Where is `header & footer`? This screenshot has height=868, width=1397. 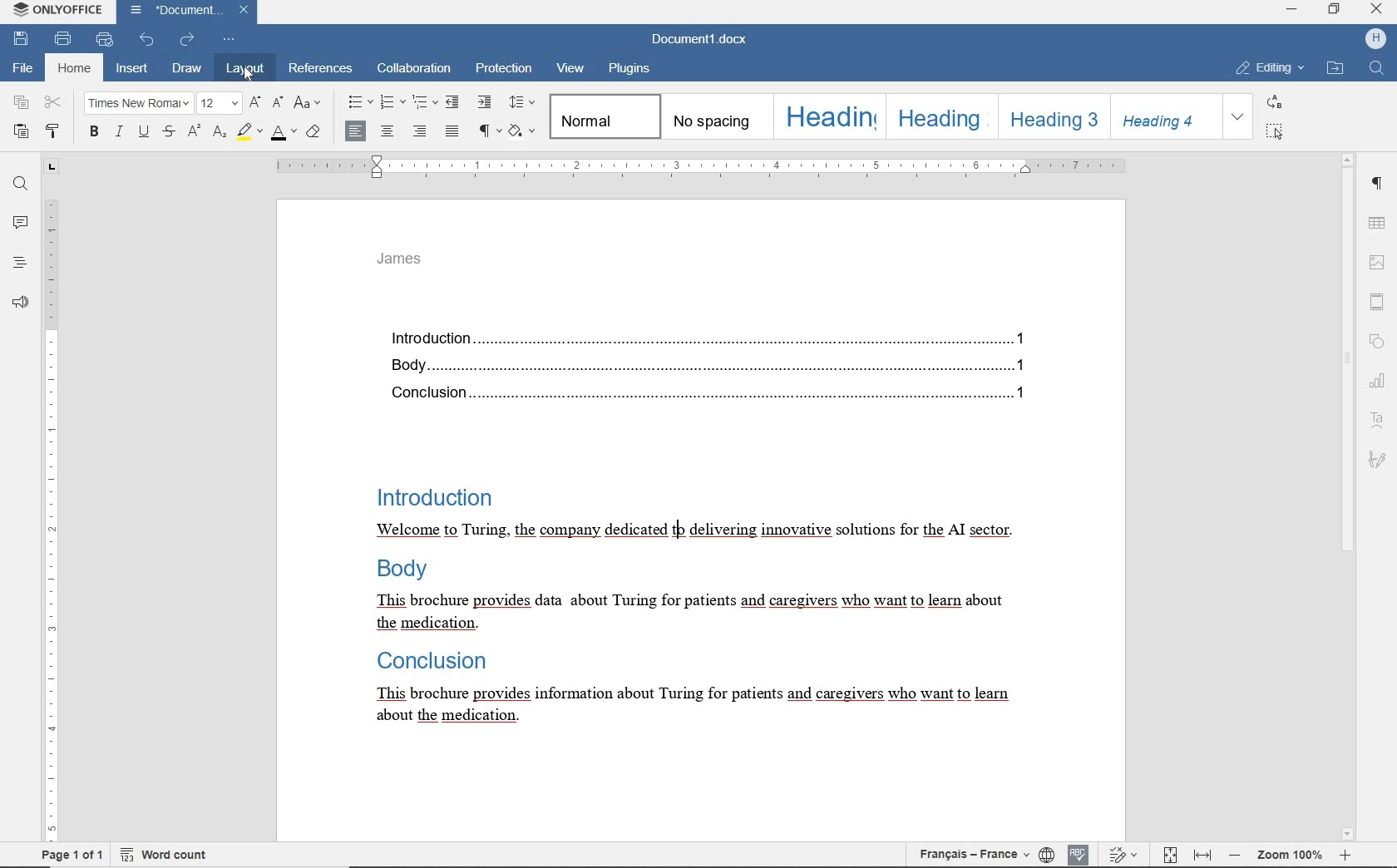
header & footer is located at coordinates (1378, 303).